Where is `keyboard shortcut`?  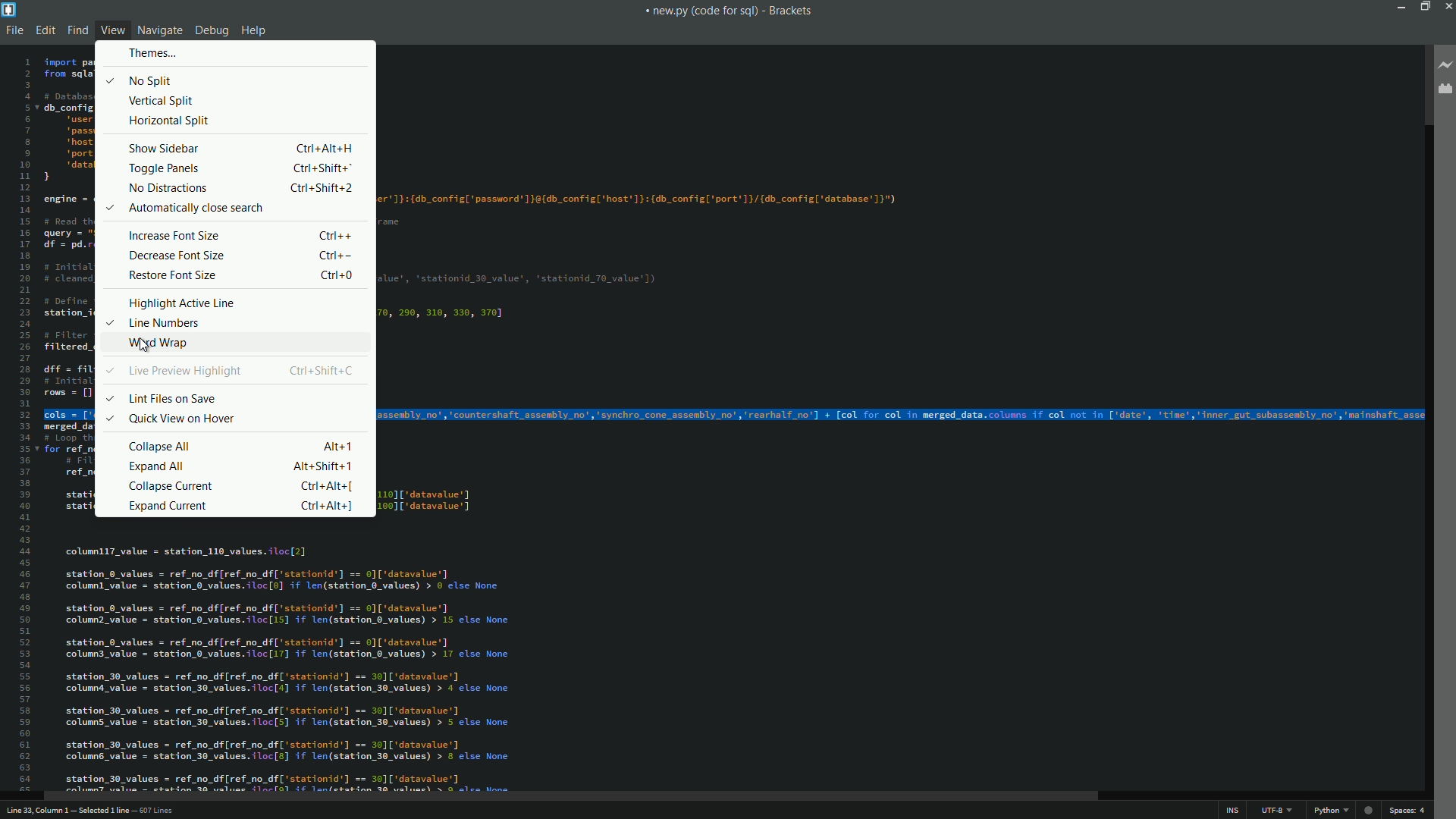 keyboard shortcut is located at coordinates (325, 149).